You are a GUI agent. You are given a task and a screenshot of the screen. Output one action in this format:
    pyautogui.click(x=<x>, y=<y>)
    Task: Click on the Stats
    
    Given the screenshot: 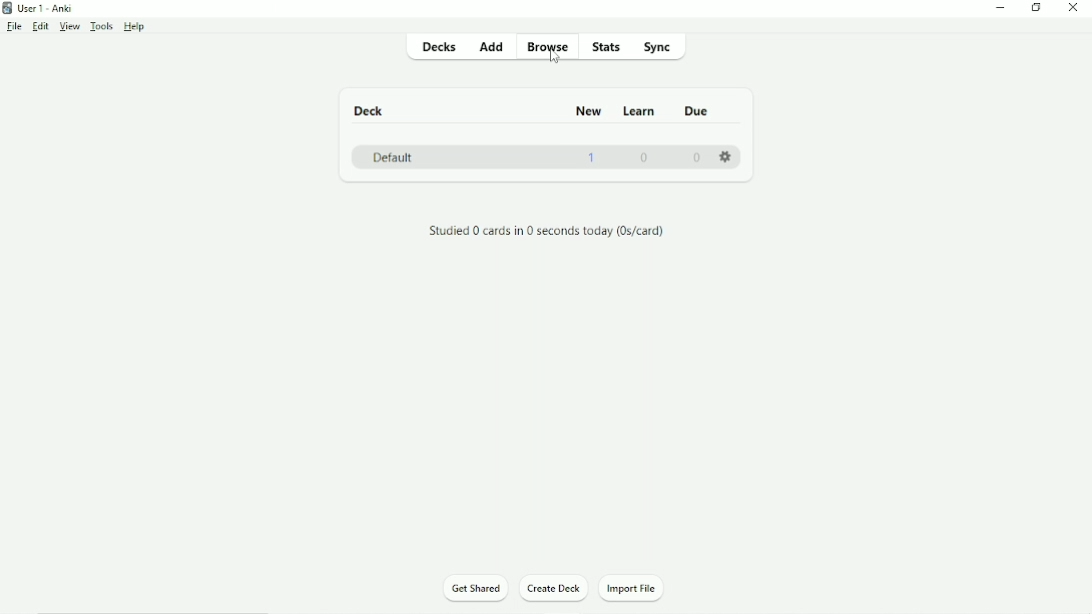 What is the action you would take?
    pyautogui.click(x=609, y=47)
    